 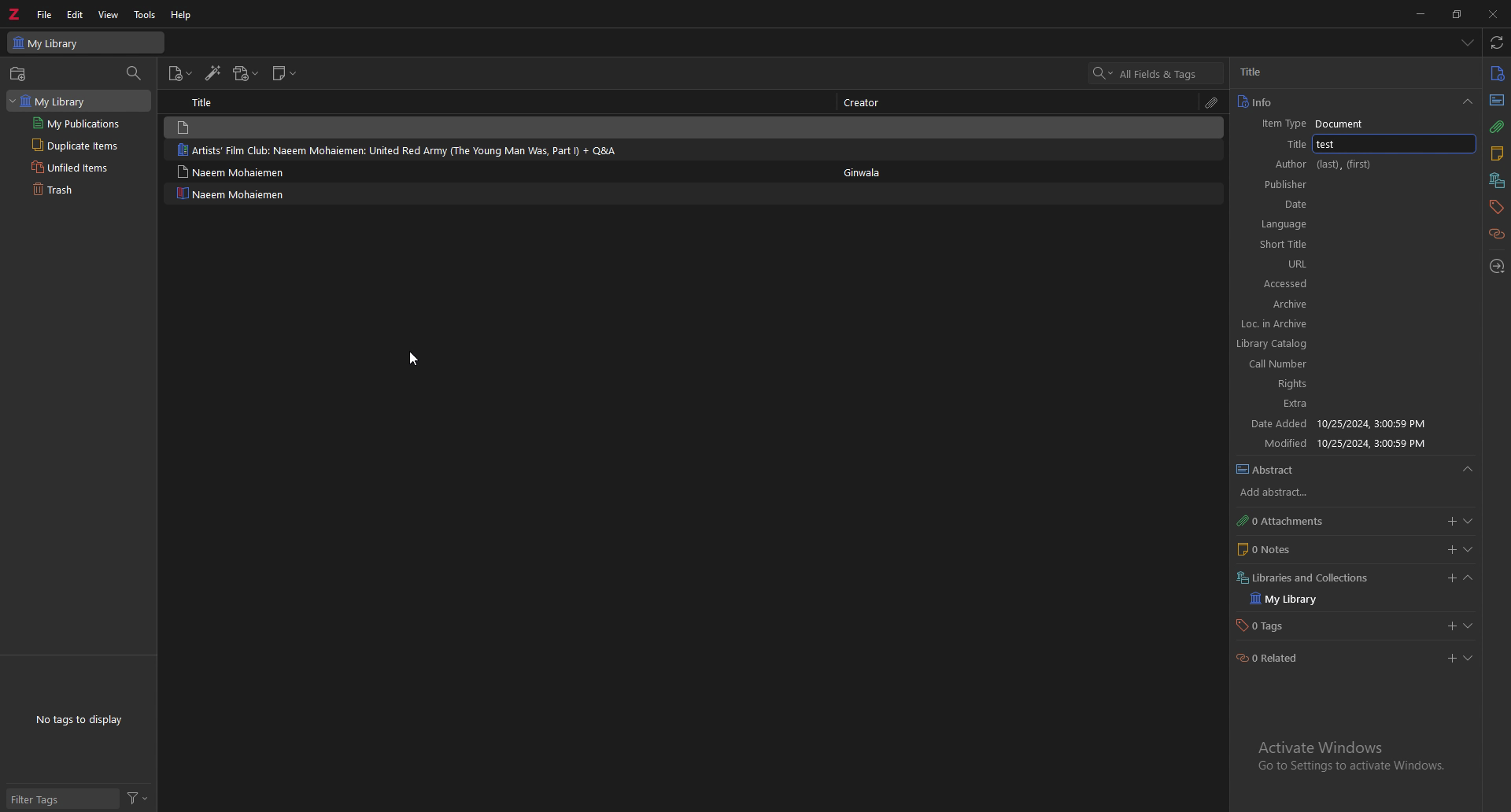 I want to click on notes, so click(x=1497, y=154).